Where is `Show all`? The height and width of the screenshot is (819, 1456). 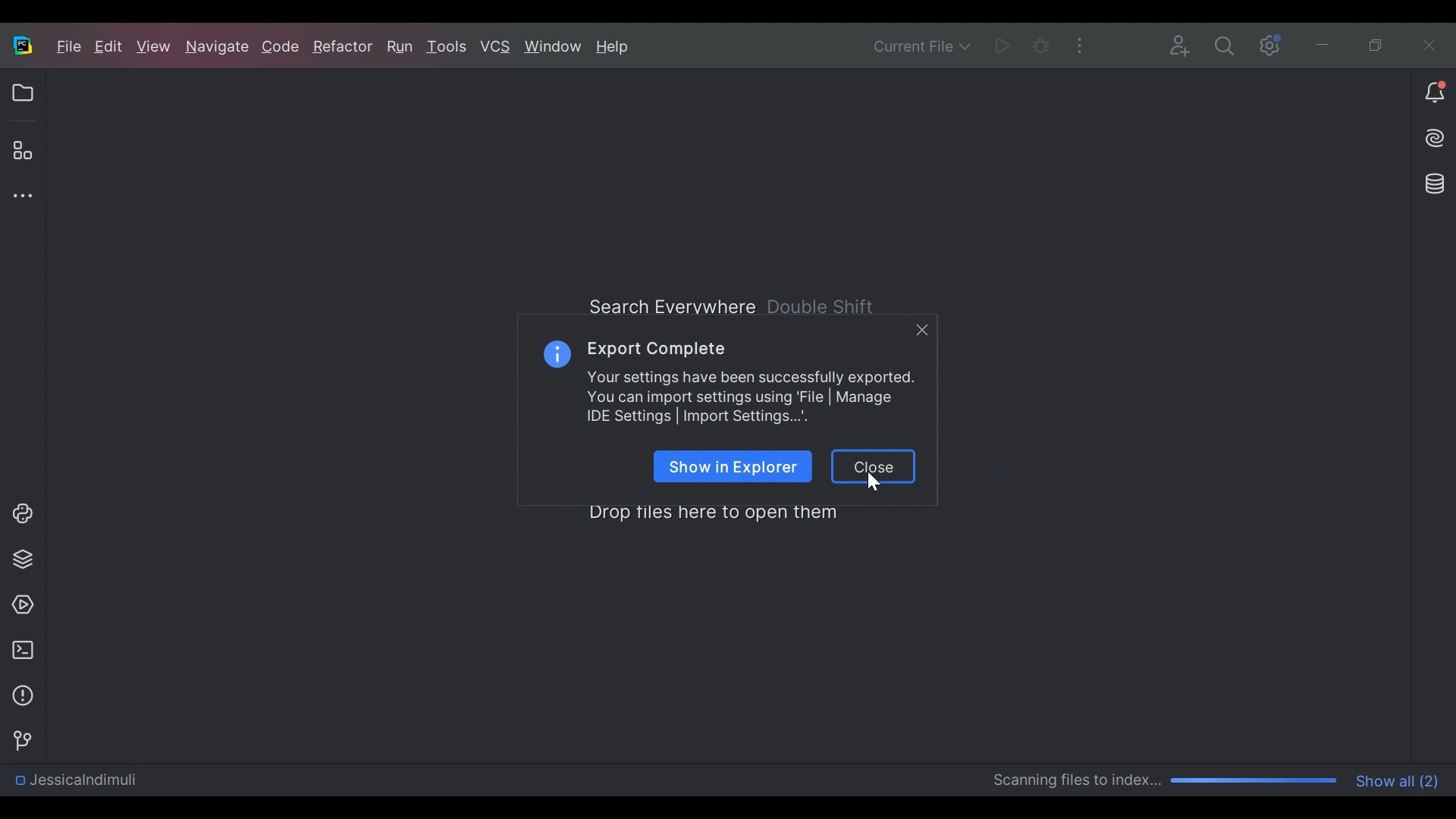 Show all is located at coordinates (1400, 780).